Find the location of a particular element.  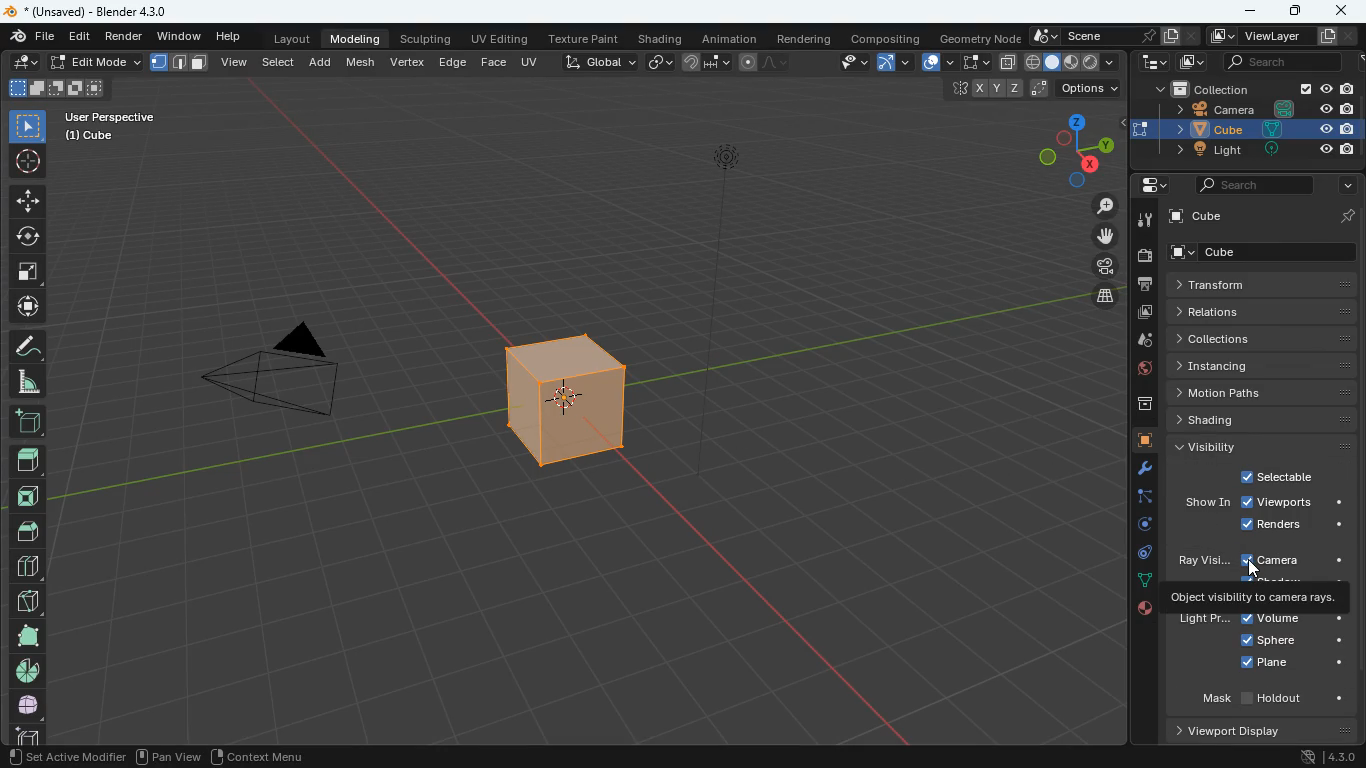

postion is located at coordinates (1036, 89).